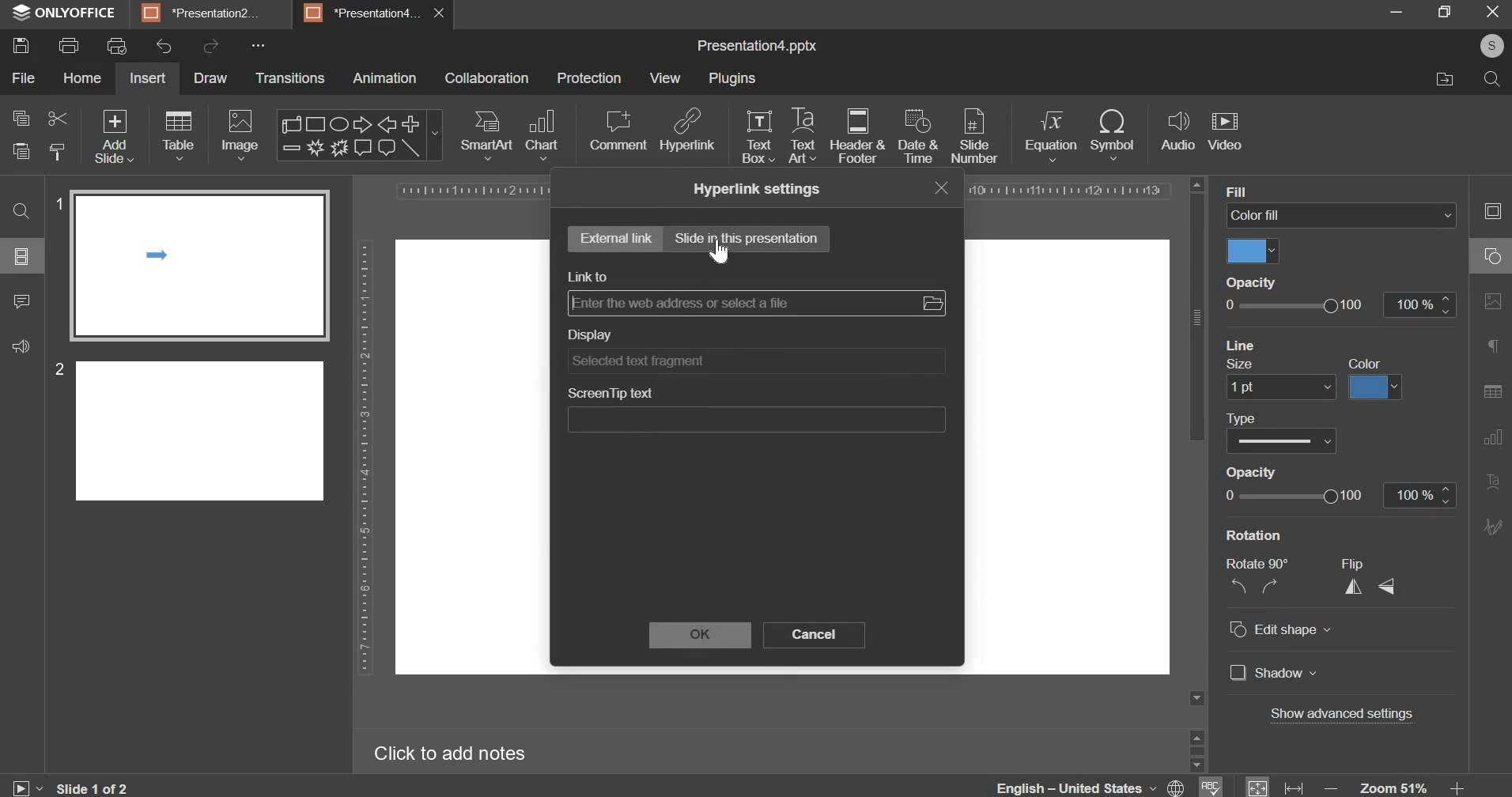 Image resolution: width=1512 pixels, height=797 pixels. I want to click on color fill, so click(1249, 253).